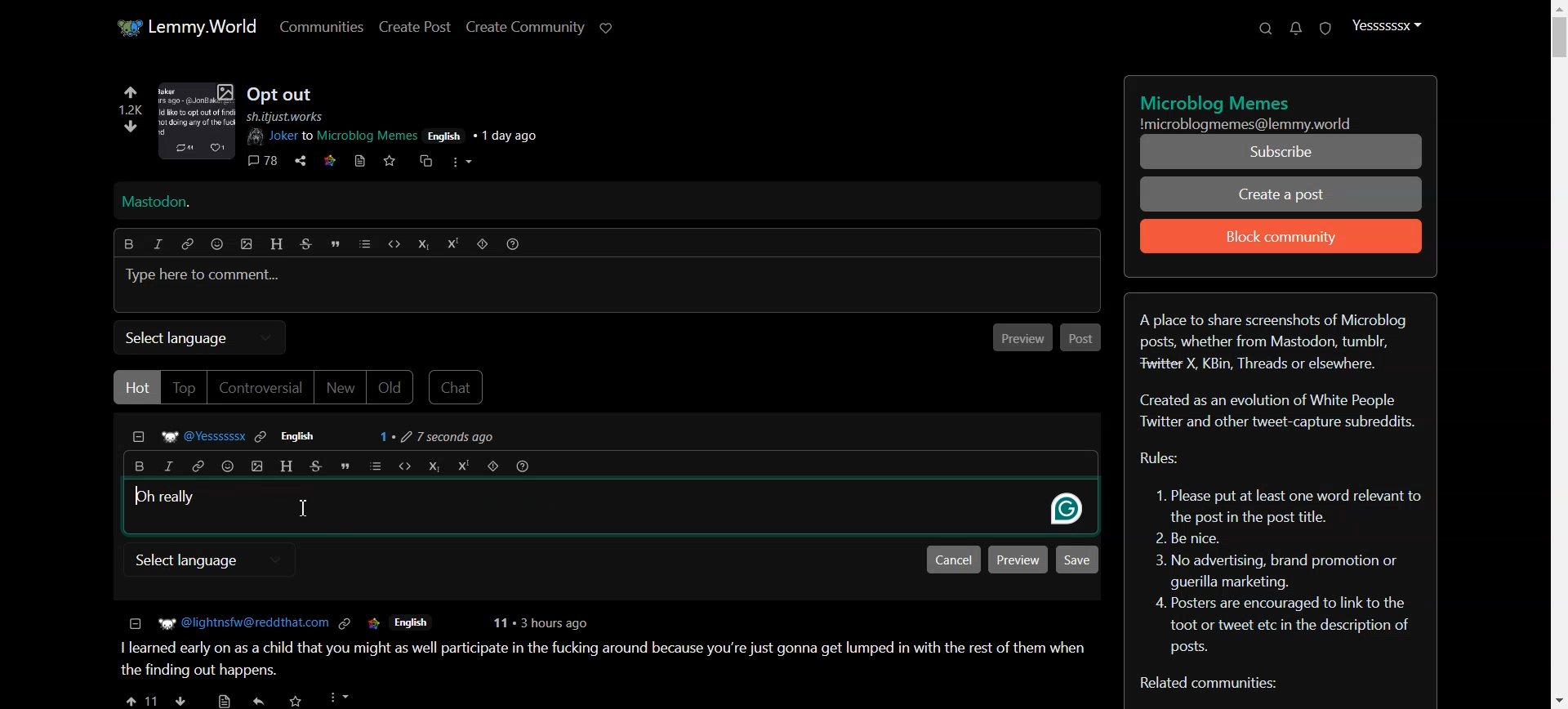  What do you see at coordinates (282, 92) in the screenshot?
I see `Posts` at bounding box center [282, 92].